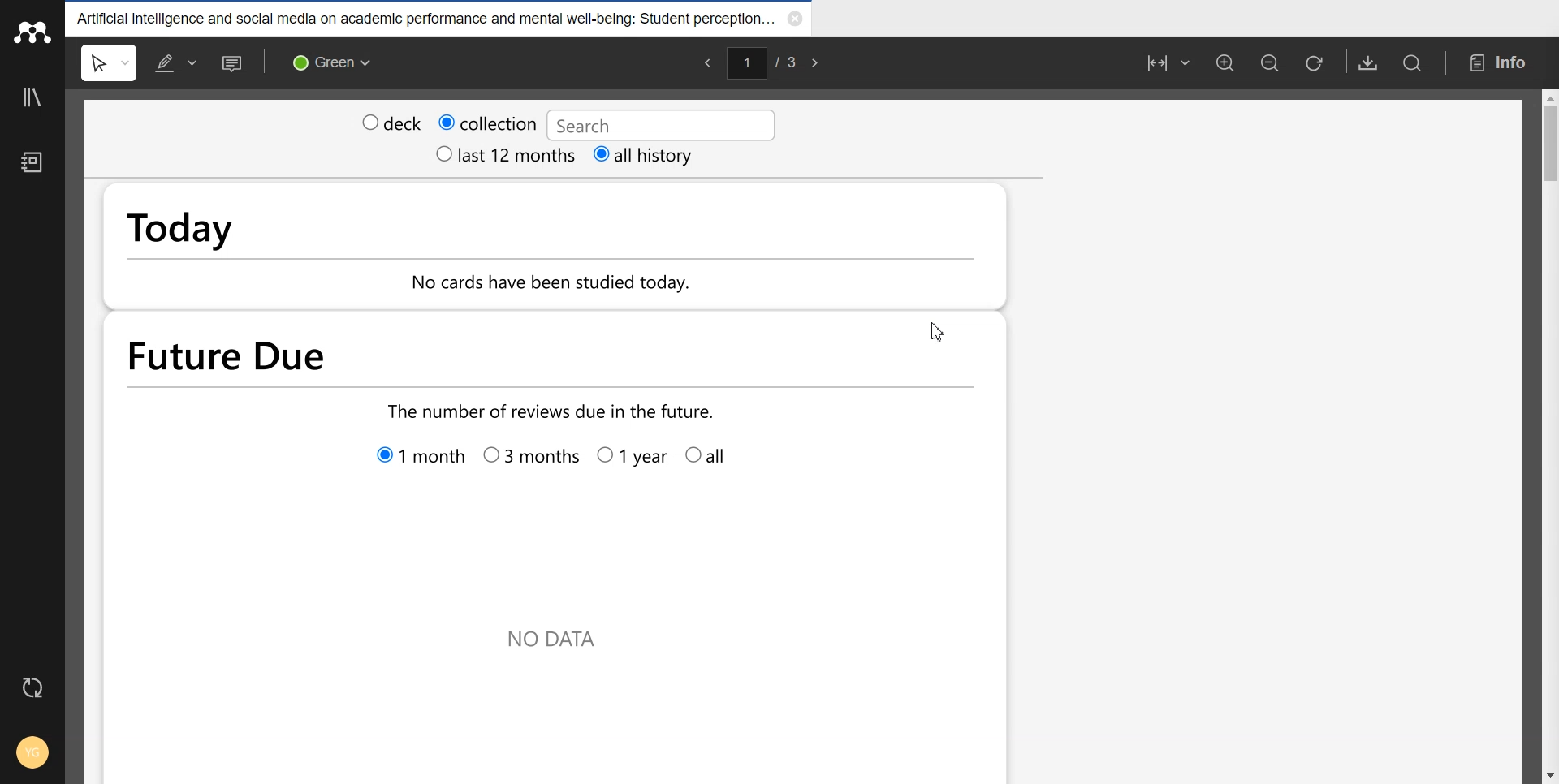 The image size is (1559, 784). Describe the element at coordinates (651, 123) in the screenshot. I see `search` at that location.